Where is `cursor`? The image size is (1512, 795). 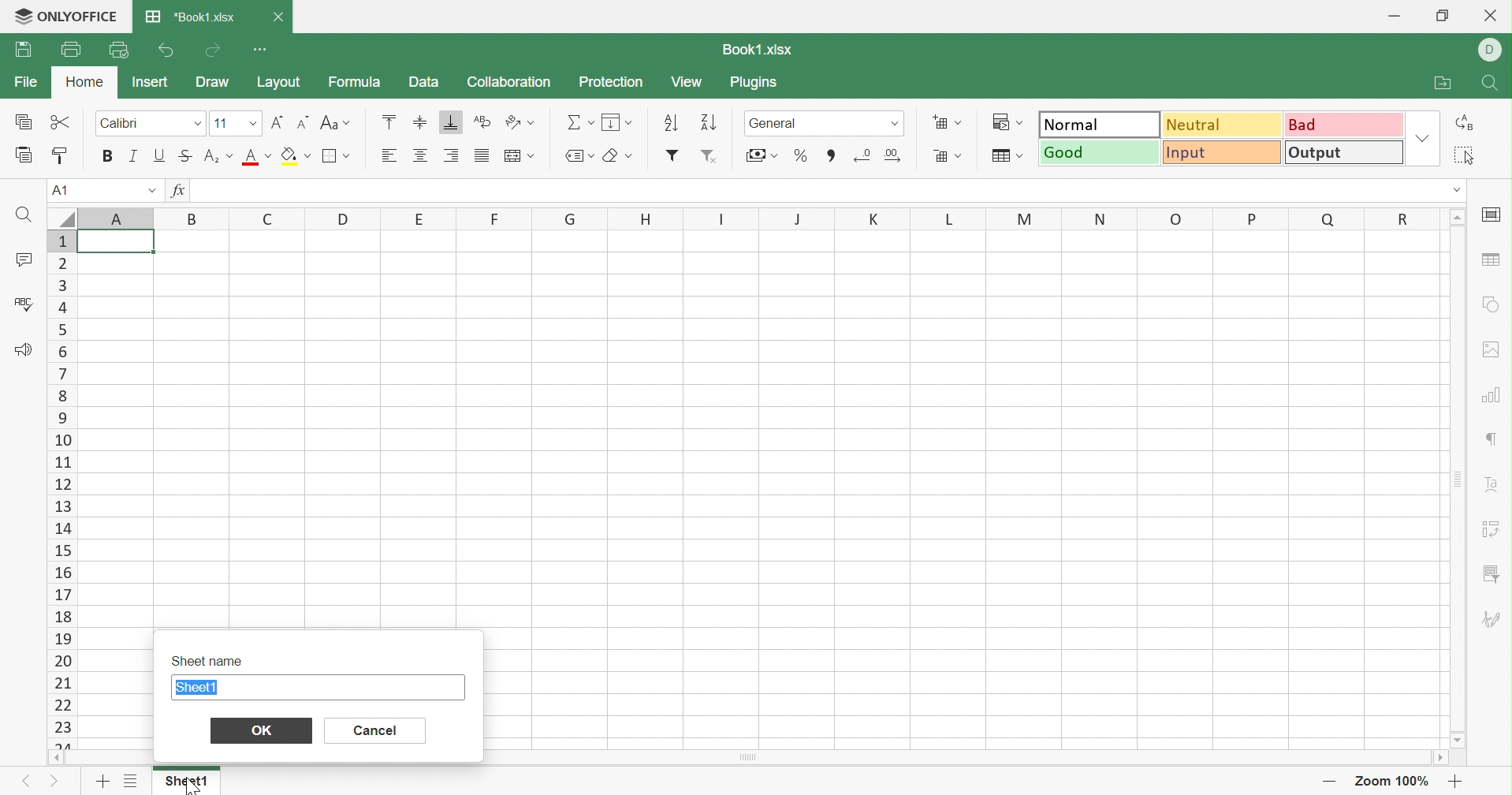
cursor is located at coordinates (185, 786).